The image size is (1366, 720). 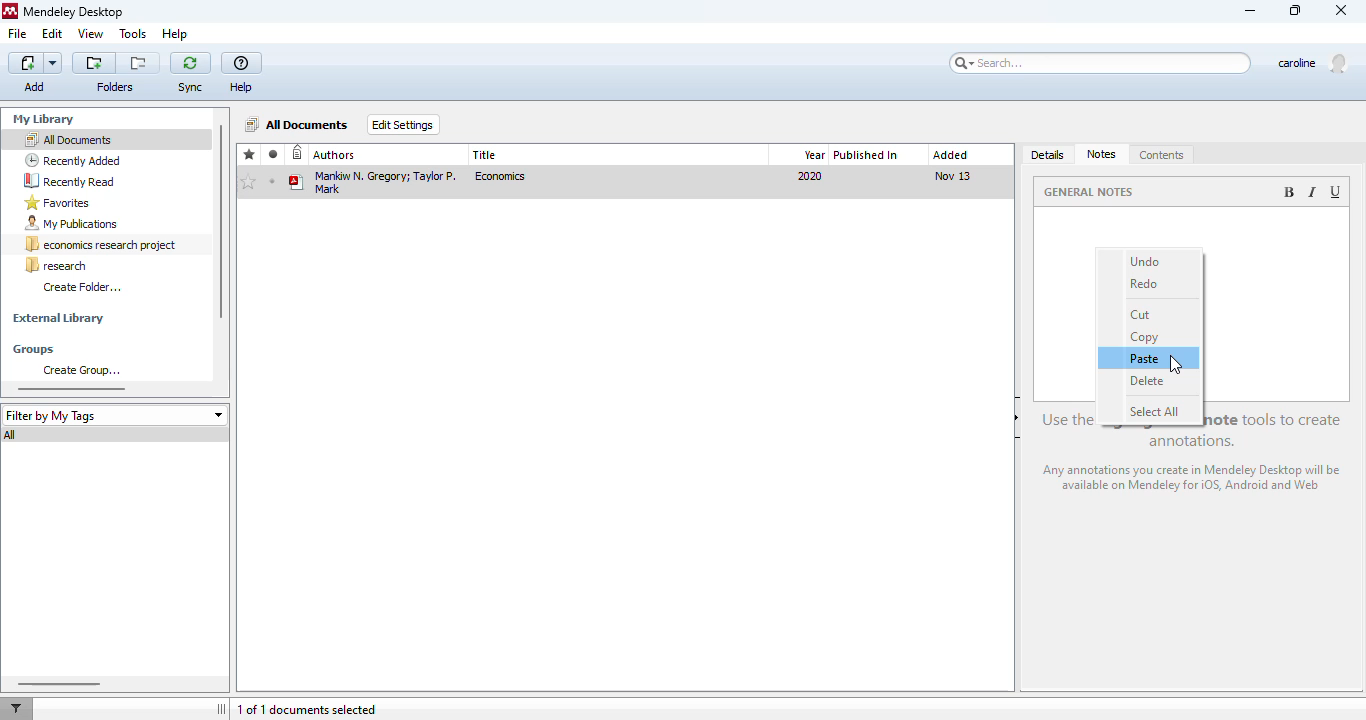 I want to click on create a new folder, so click(x=94, y=63).